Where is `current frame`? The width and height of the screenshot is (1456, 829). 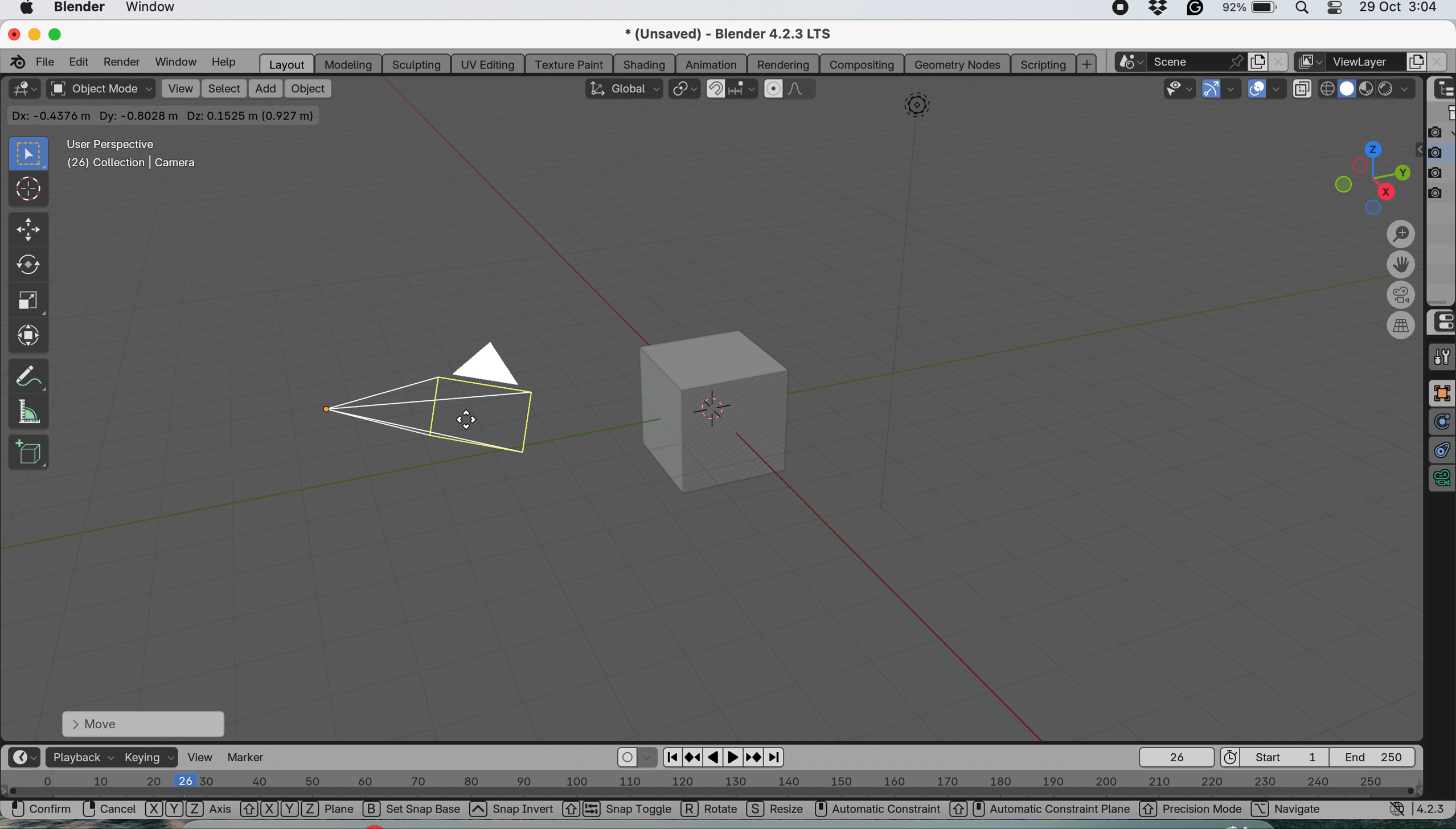 current frame is located at coordinates (1175, 757).